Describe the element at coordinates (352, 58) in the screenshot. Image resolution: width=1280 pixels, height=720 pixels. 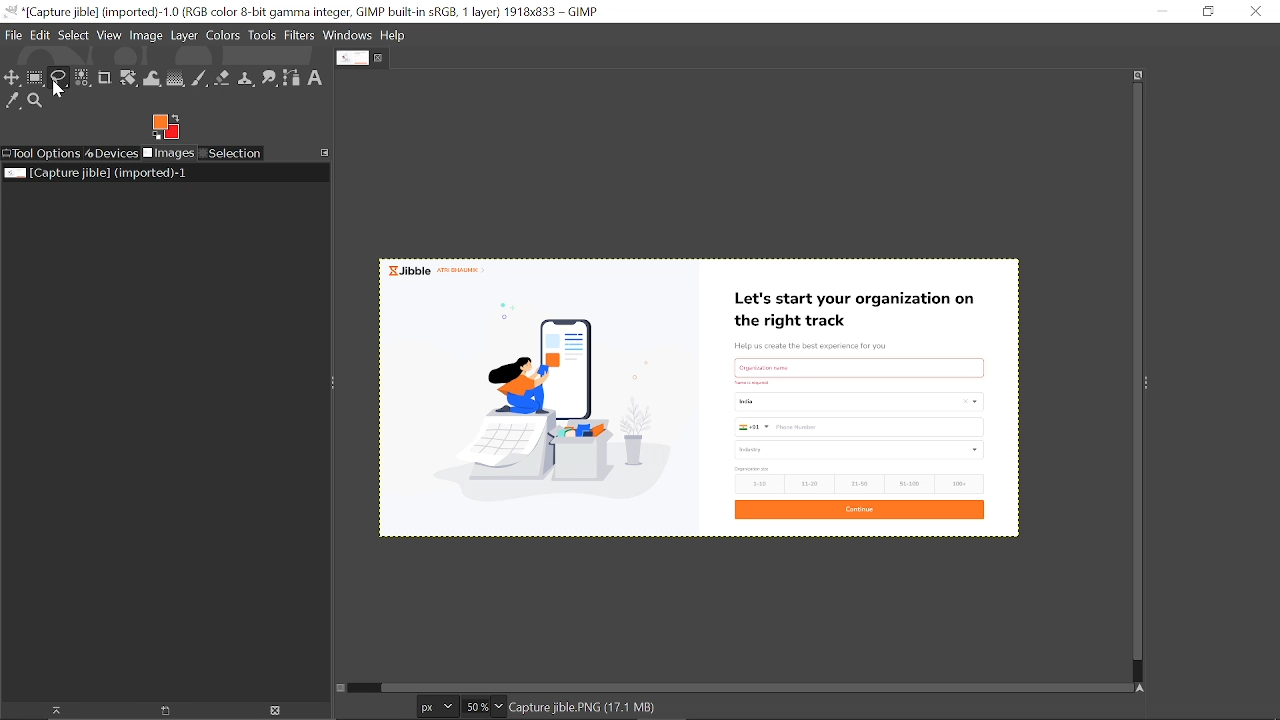
I see `Current tab` at that location.